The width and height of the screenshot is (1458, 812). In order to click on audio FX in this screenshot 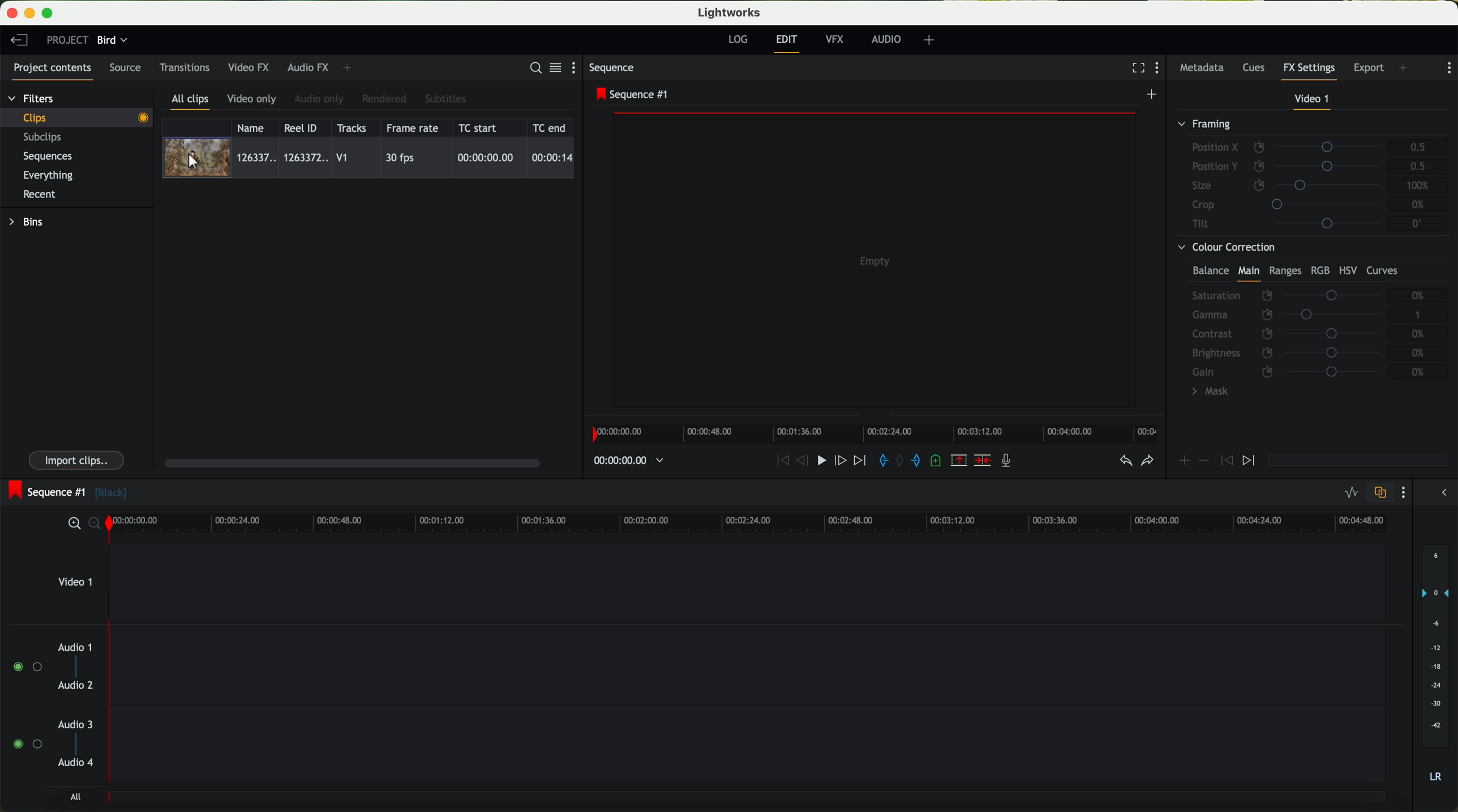, I will do `click(308, 67)`.